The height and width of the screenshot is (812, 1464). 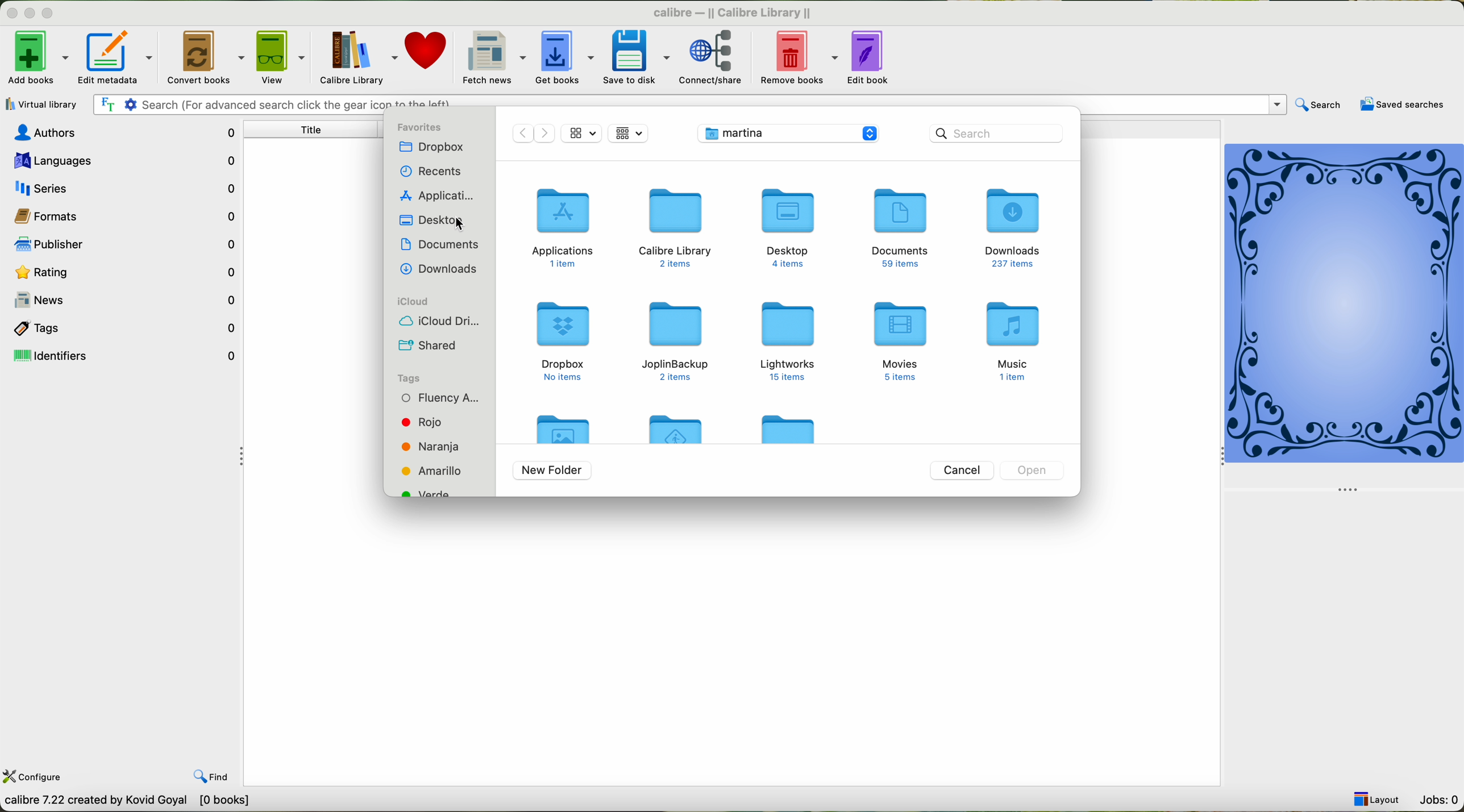 I want to click on icloud, so click(x=414, y=302).